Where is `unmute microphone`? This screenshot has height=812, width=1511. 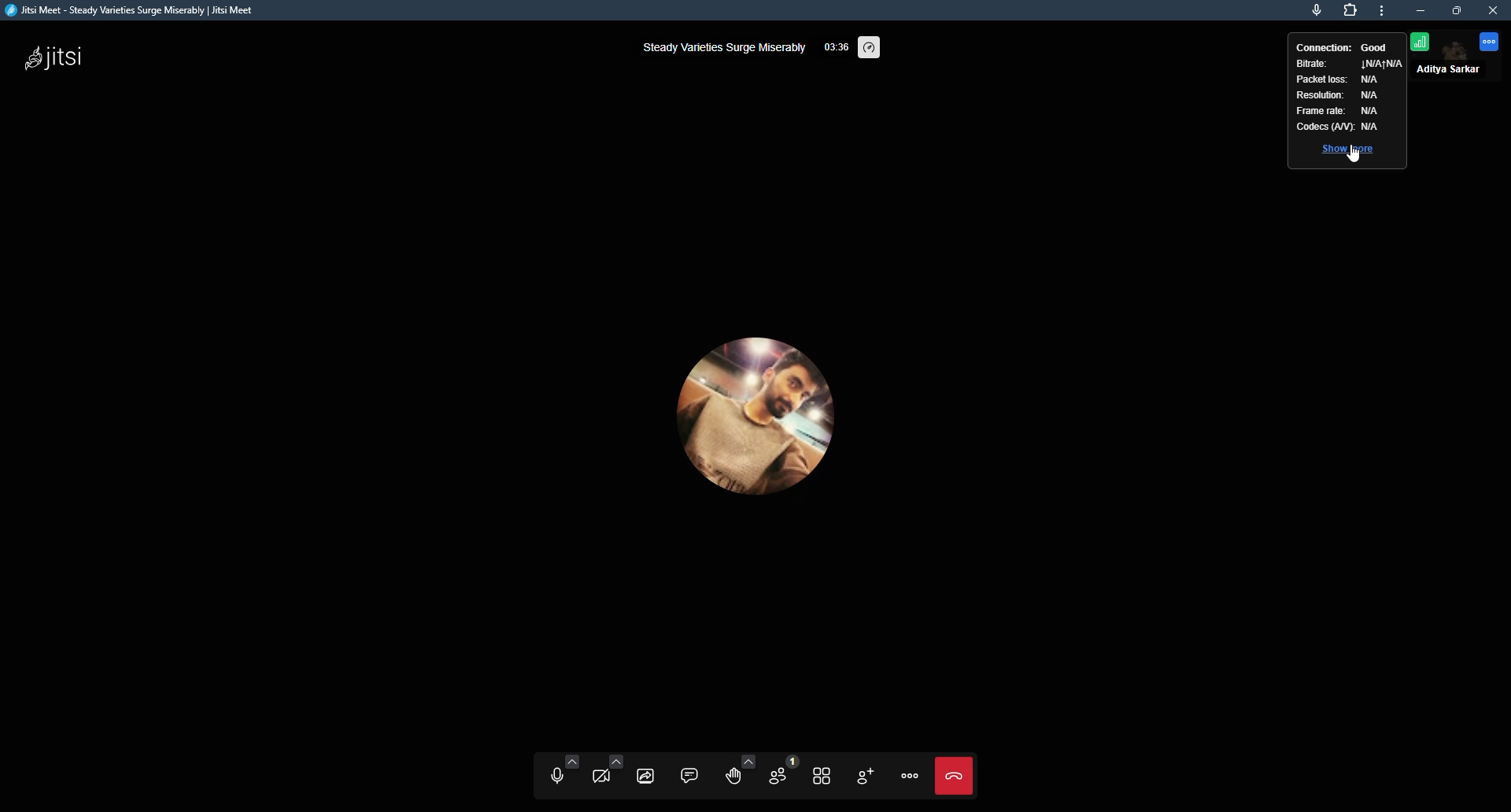
unmute microphone is located at coordinates (554, 775).